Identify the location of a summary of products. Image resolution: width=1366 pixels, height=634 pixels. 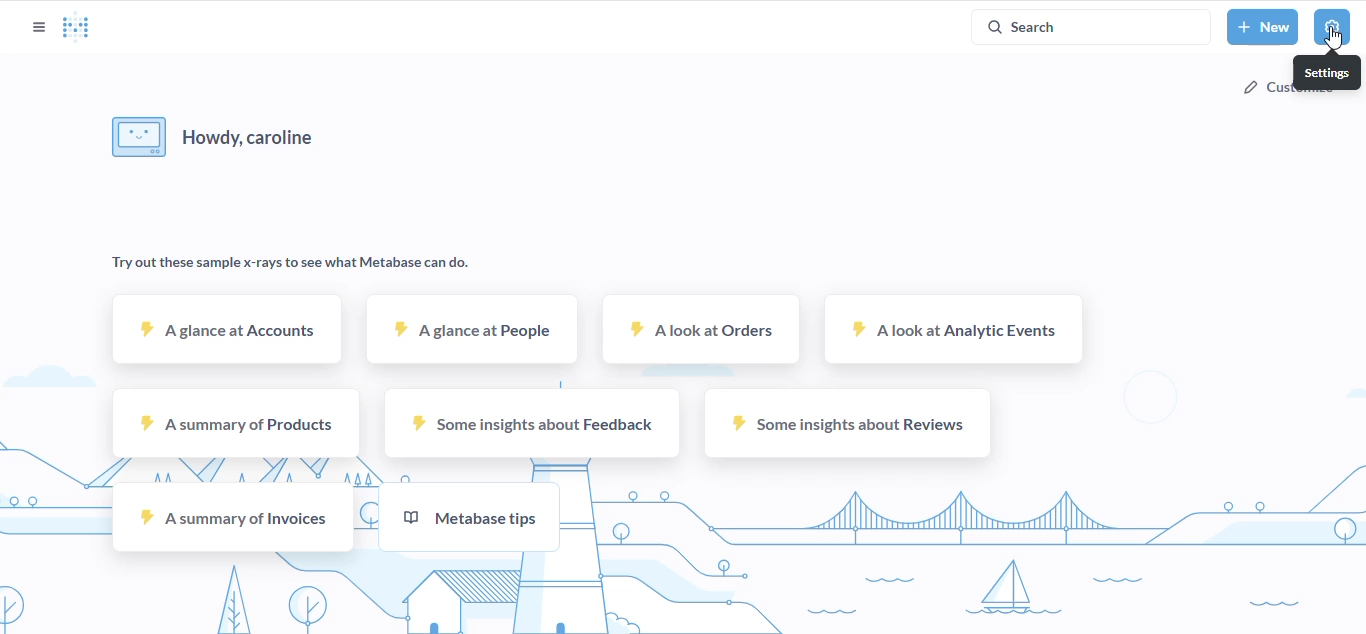
(236, 423).